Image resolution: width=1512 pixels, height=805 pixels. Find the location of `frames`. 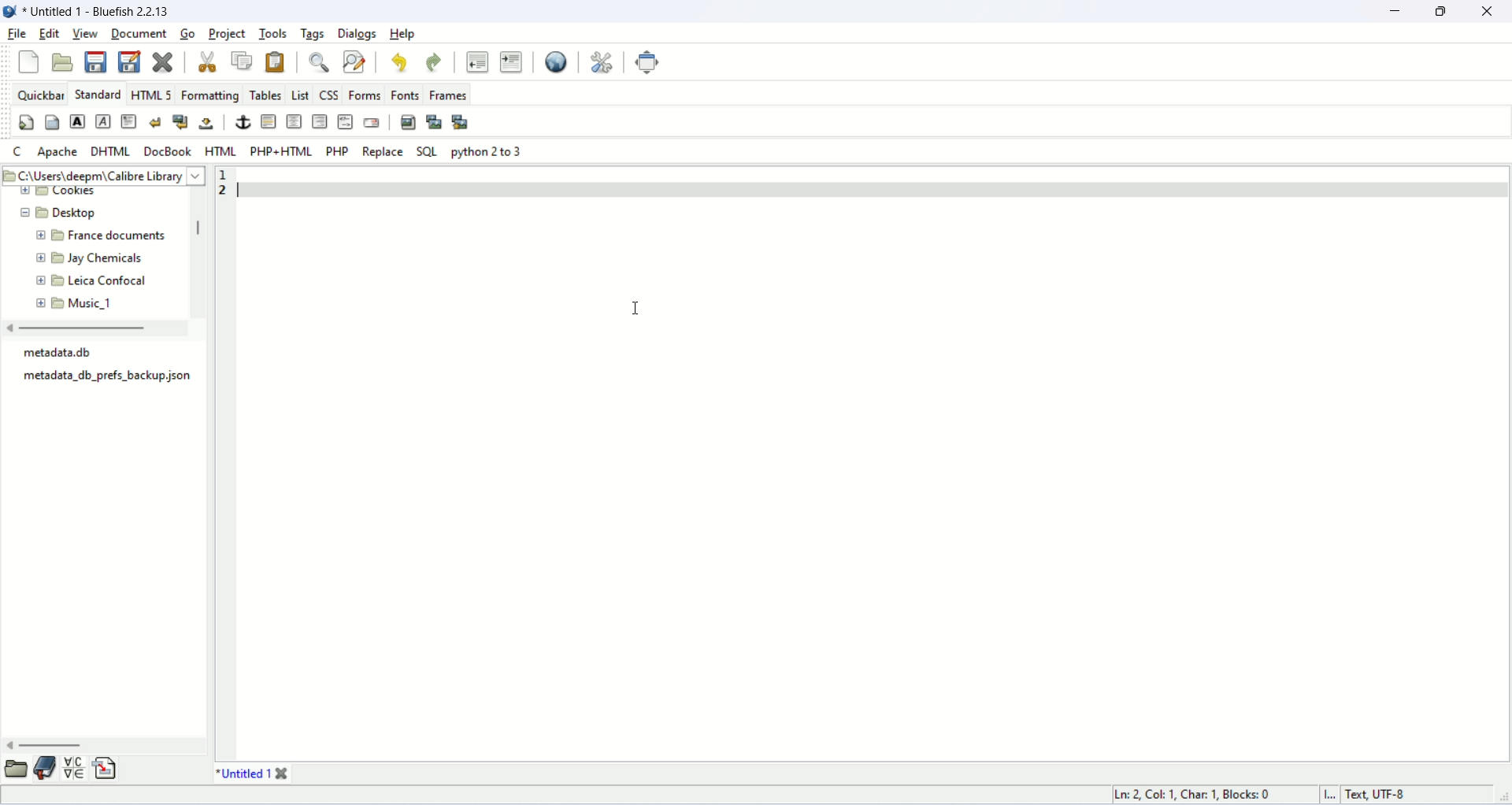

frames is located at coordinates (448, 95).